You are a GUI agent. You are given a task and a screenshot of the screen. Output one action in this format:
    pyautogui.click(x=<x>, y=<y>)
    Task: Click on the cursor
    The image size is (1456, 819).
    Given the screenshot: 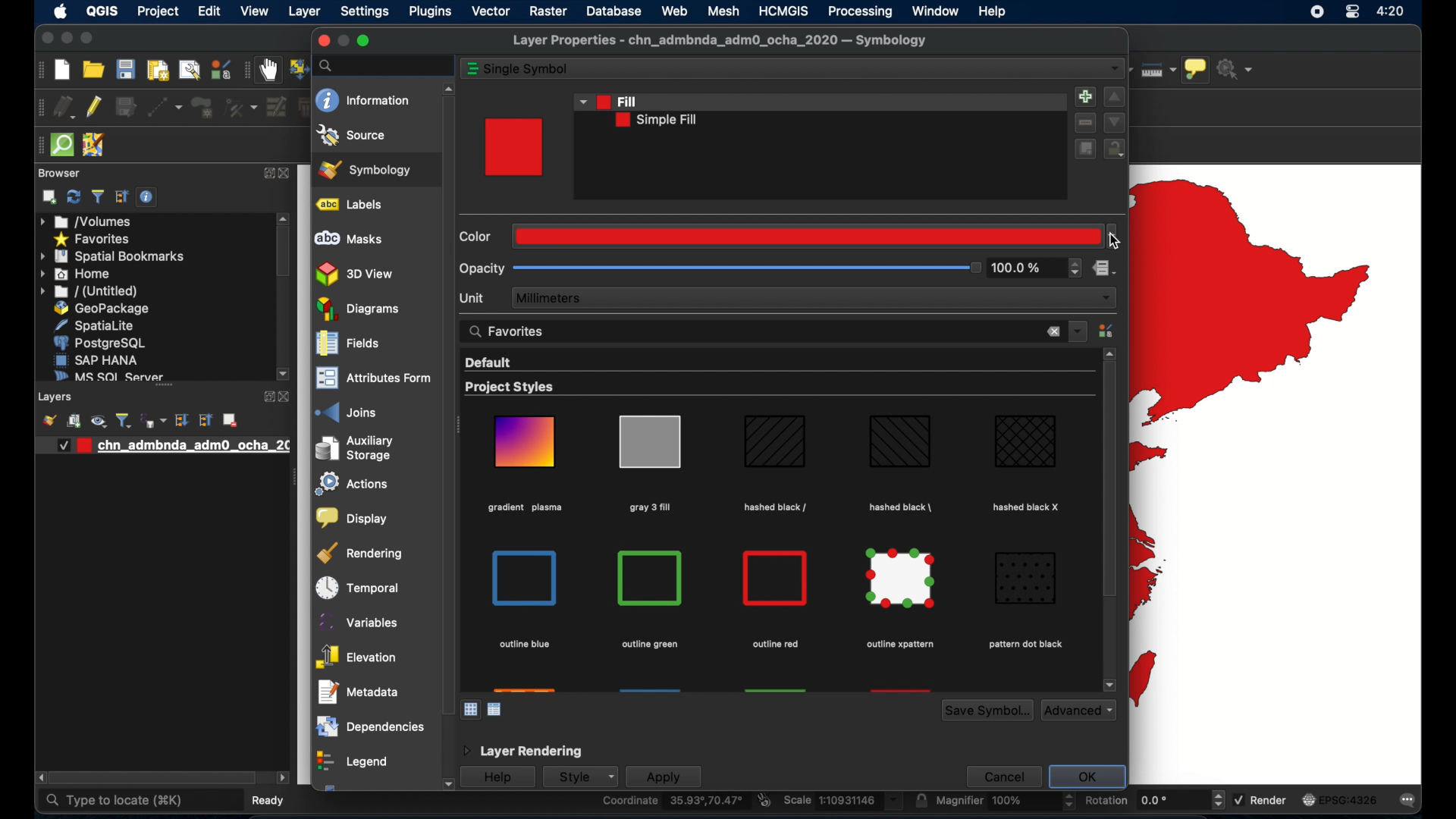 What is the action you would take?
    pyautogui.click(x=1114, y=241)
    